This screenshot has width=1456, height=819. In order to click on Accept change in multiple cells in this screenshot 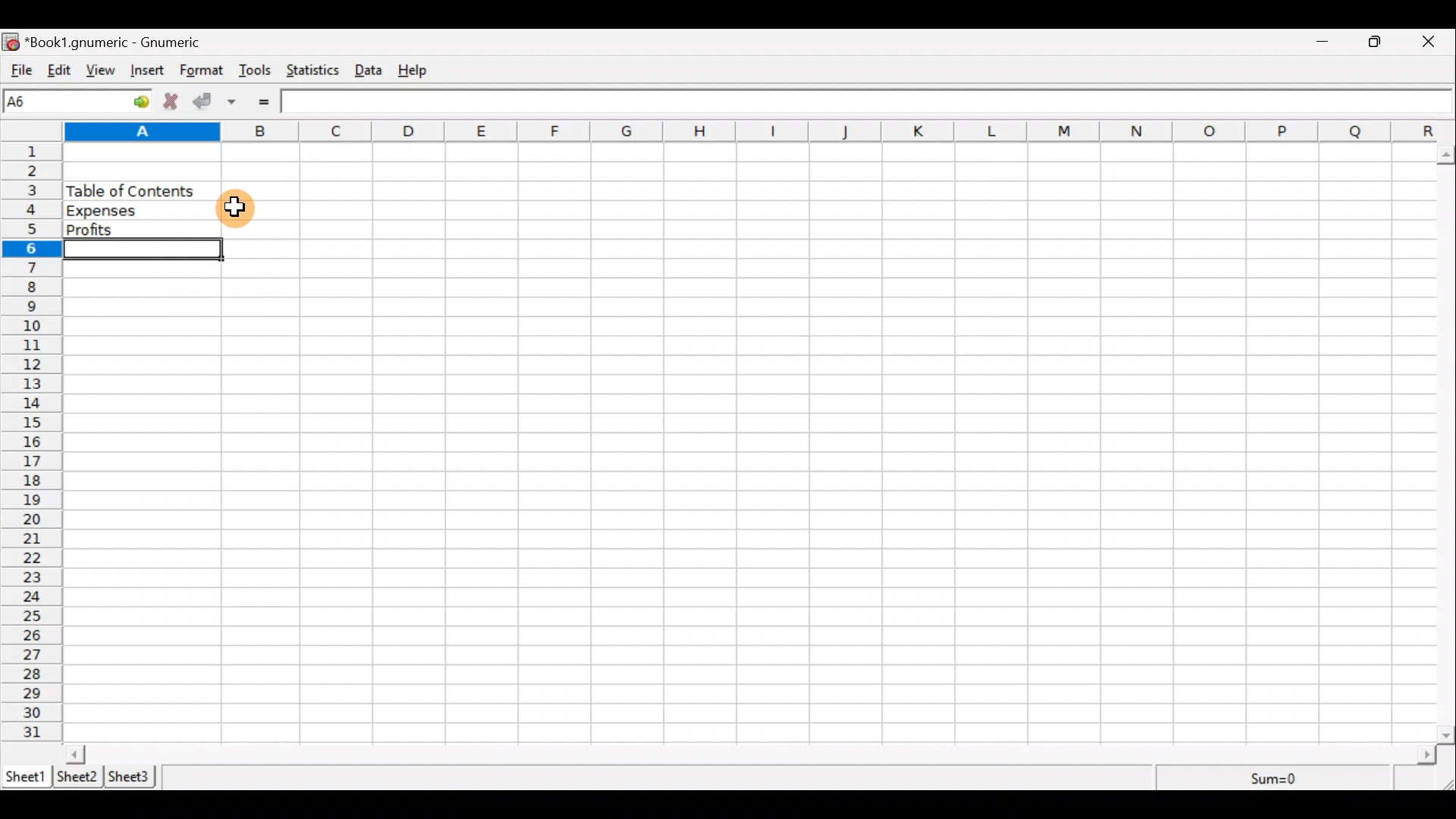, I will do `click(237, 102)`.